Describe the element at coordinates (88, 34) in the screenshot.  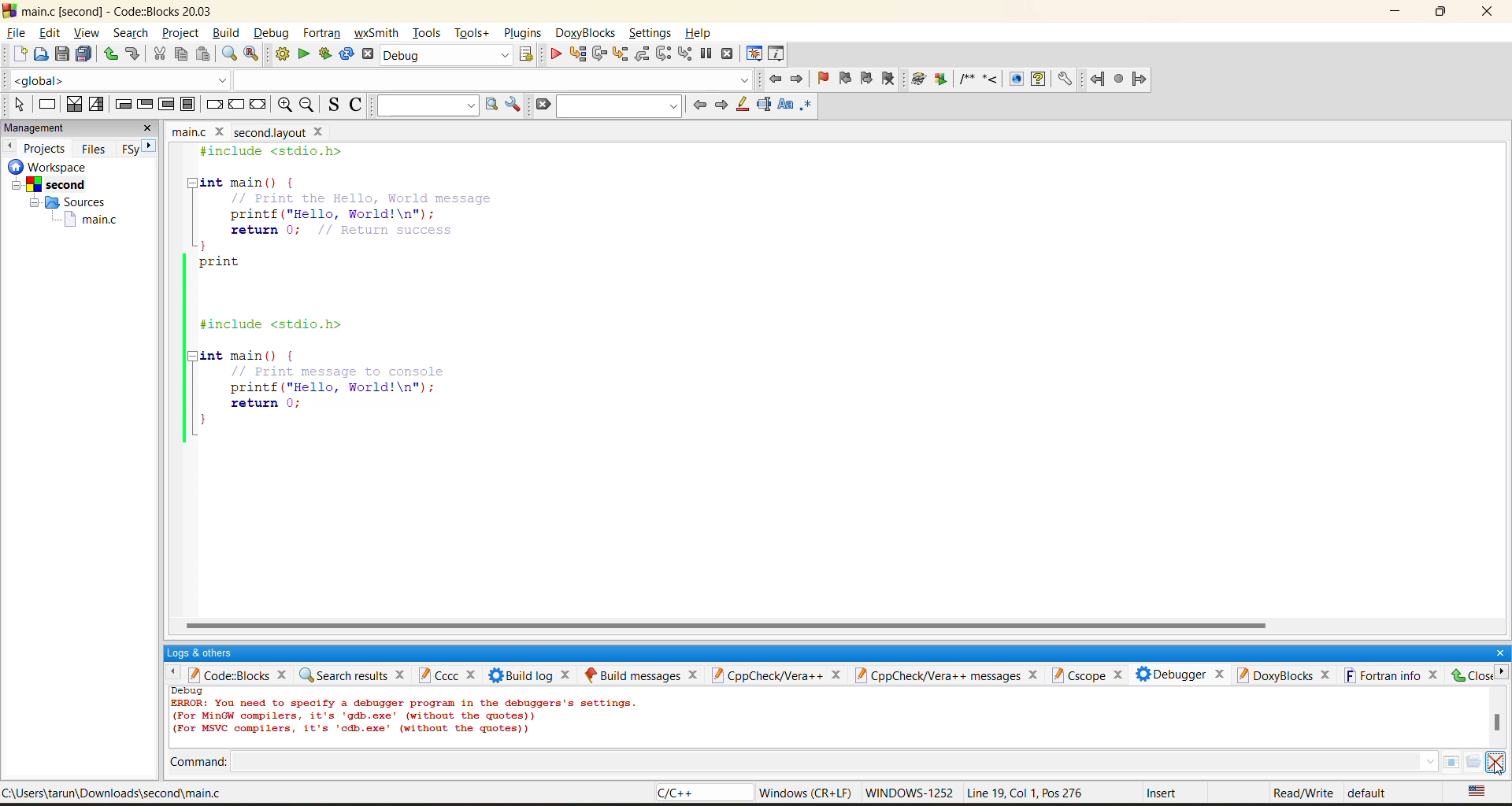
I see `view` at that location.